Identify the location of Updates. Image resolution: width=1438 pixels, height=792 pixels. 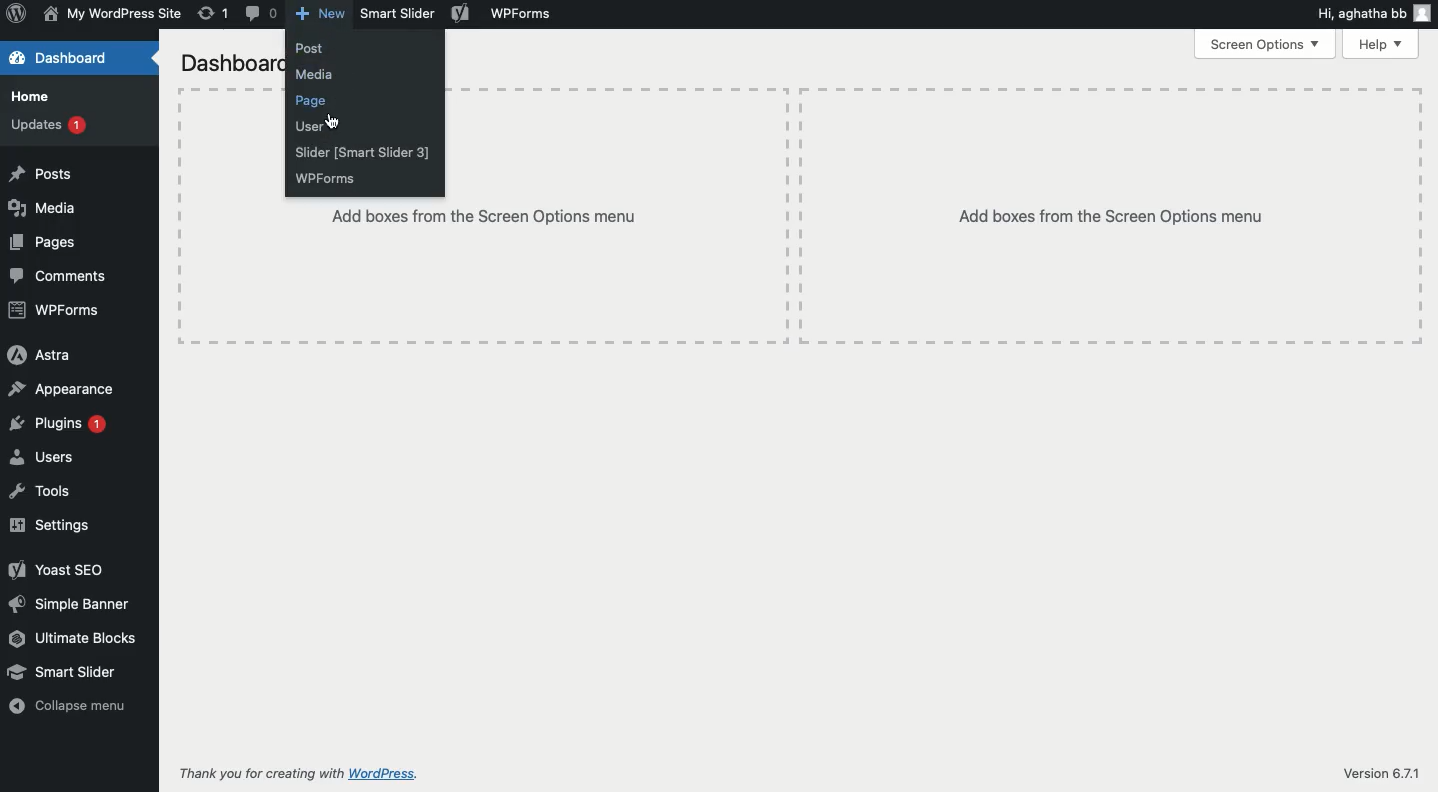
(47, 123).